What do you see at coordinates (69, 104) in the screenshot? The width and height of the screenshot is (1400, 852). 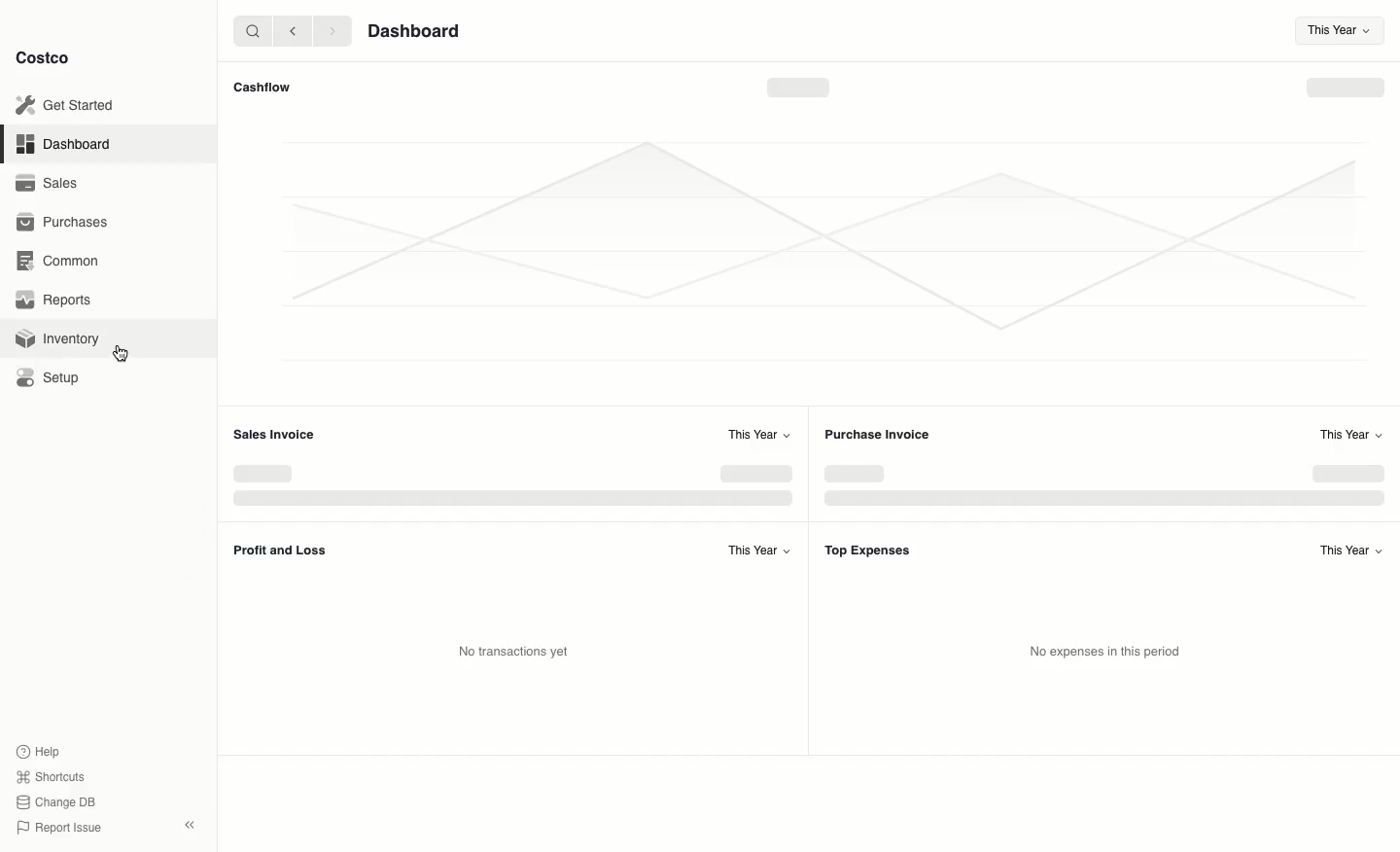 I see `Get Started` at bounding box center [69, 104].